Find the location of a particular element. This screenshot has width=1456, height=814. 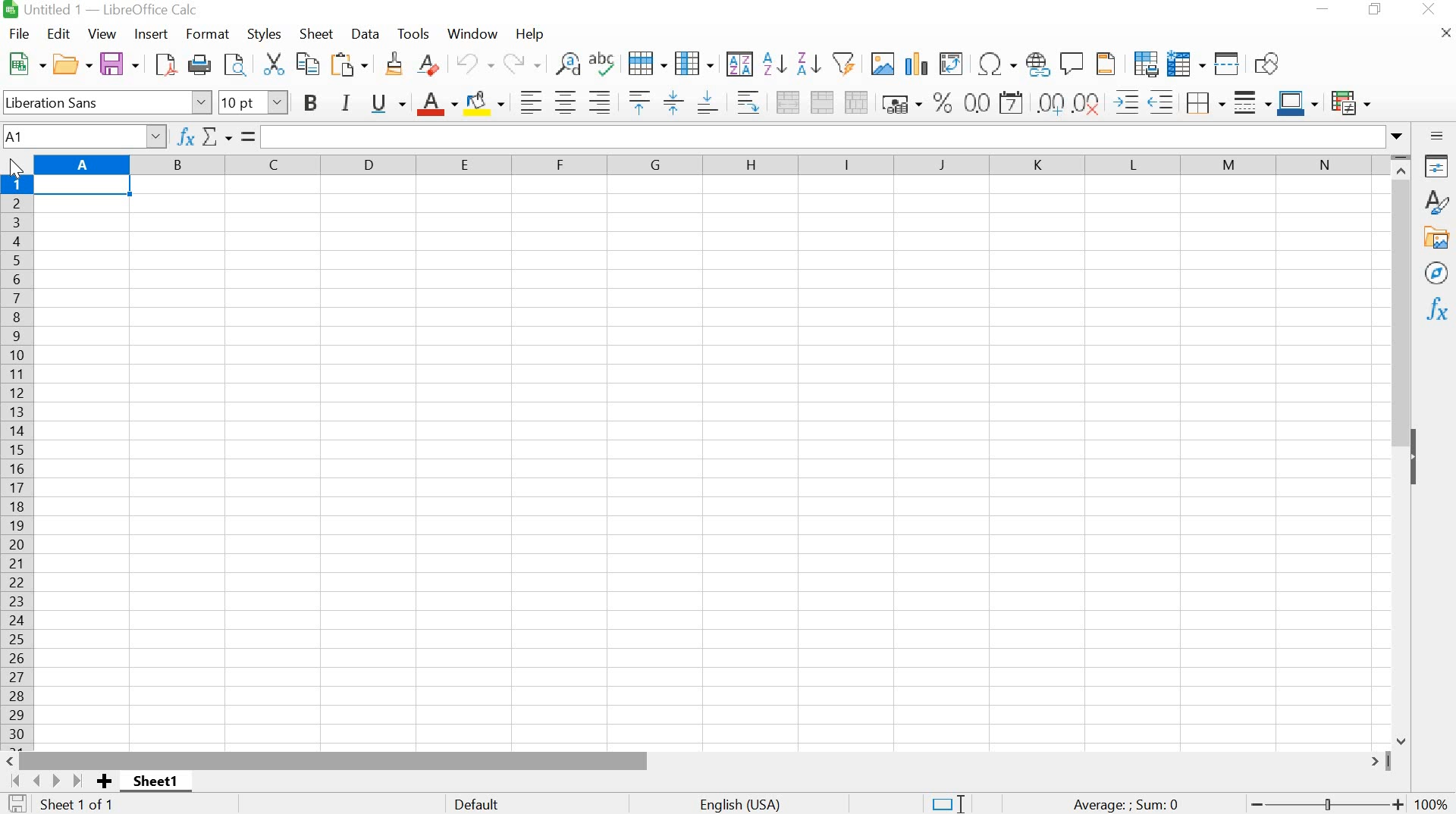

Freeze rows and columns is located at coordinates (1185, 64).